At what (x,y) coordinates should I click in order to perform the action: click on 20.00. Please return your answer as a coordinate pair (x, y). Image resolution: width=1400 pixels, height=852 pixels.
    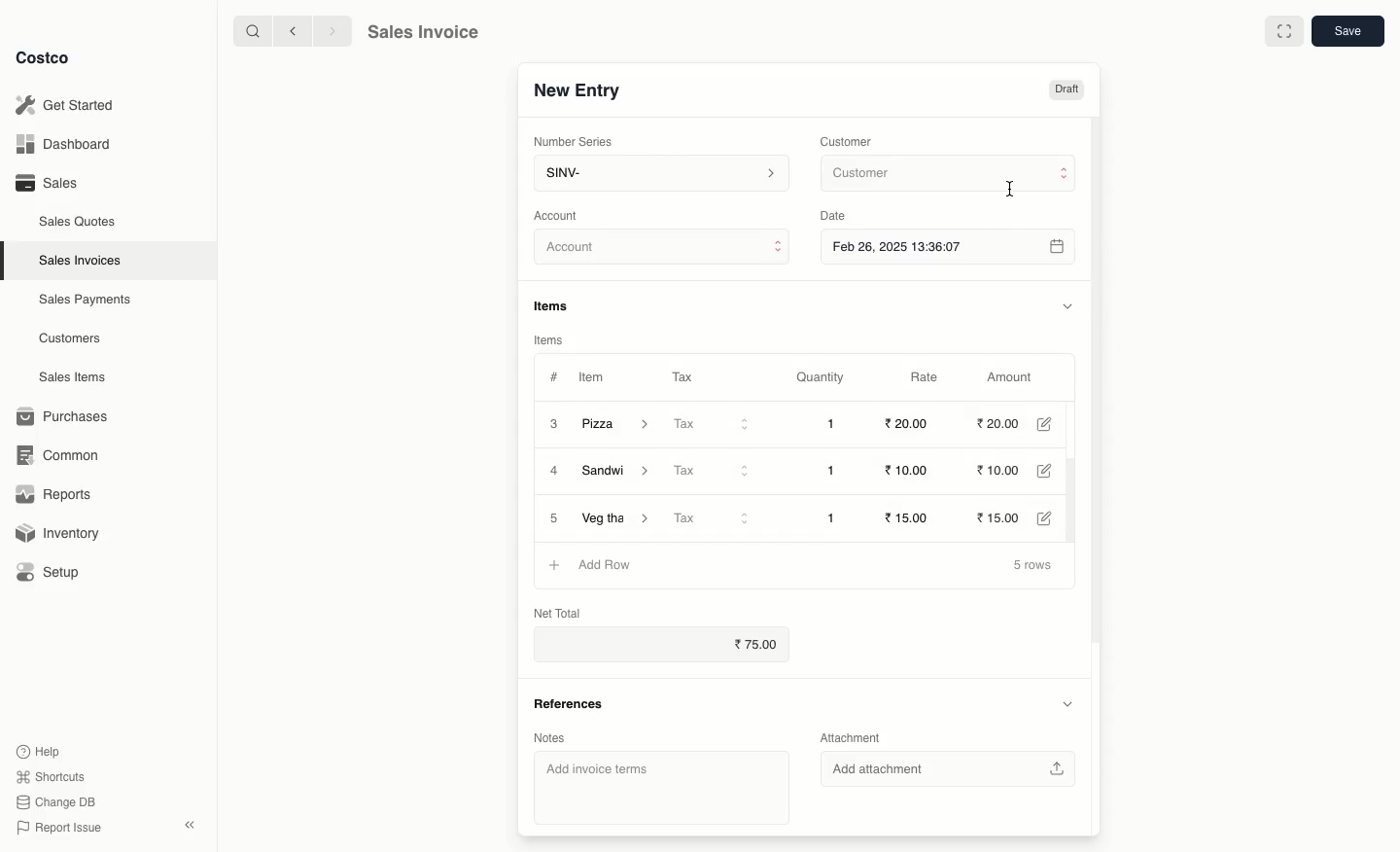
    Looking at the image, I should click on (905, 424).